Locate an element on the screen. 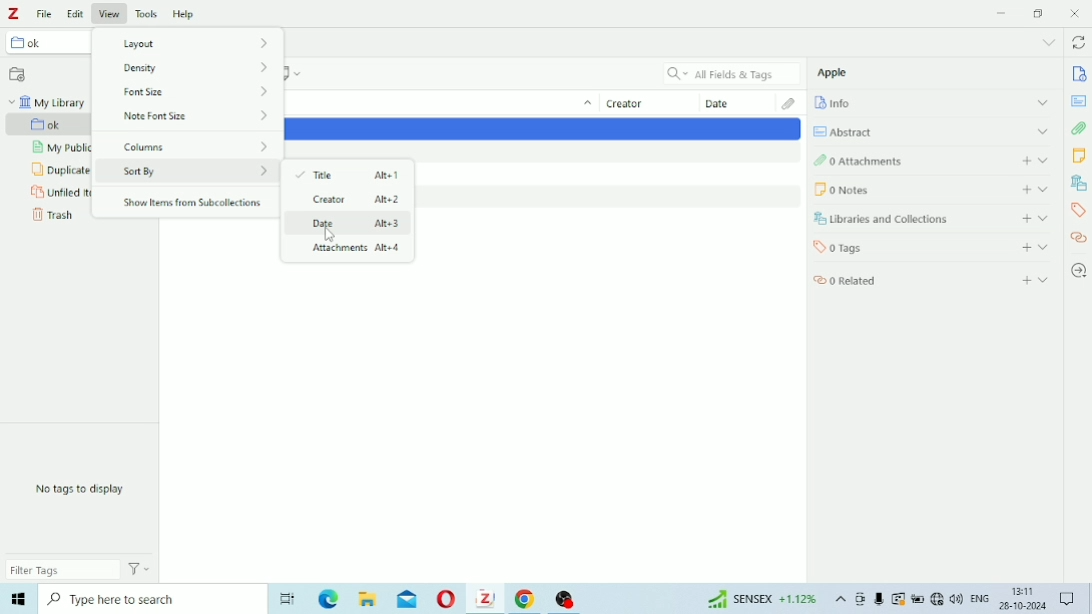 The image size is (1092, 614). Zotero logo is located at coordinates (17, 13).